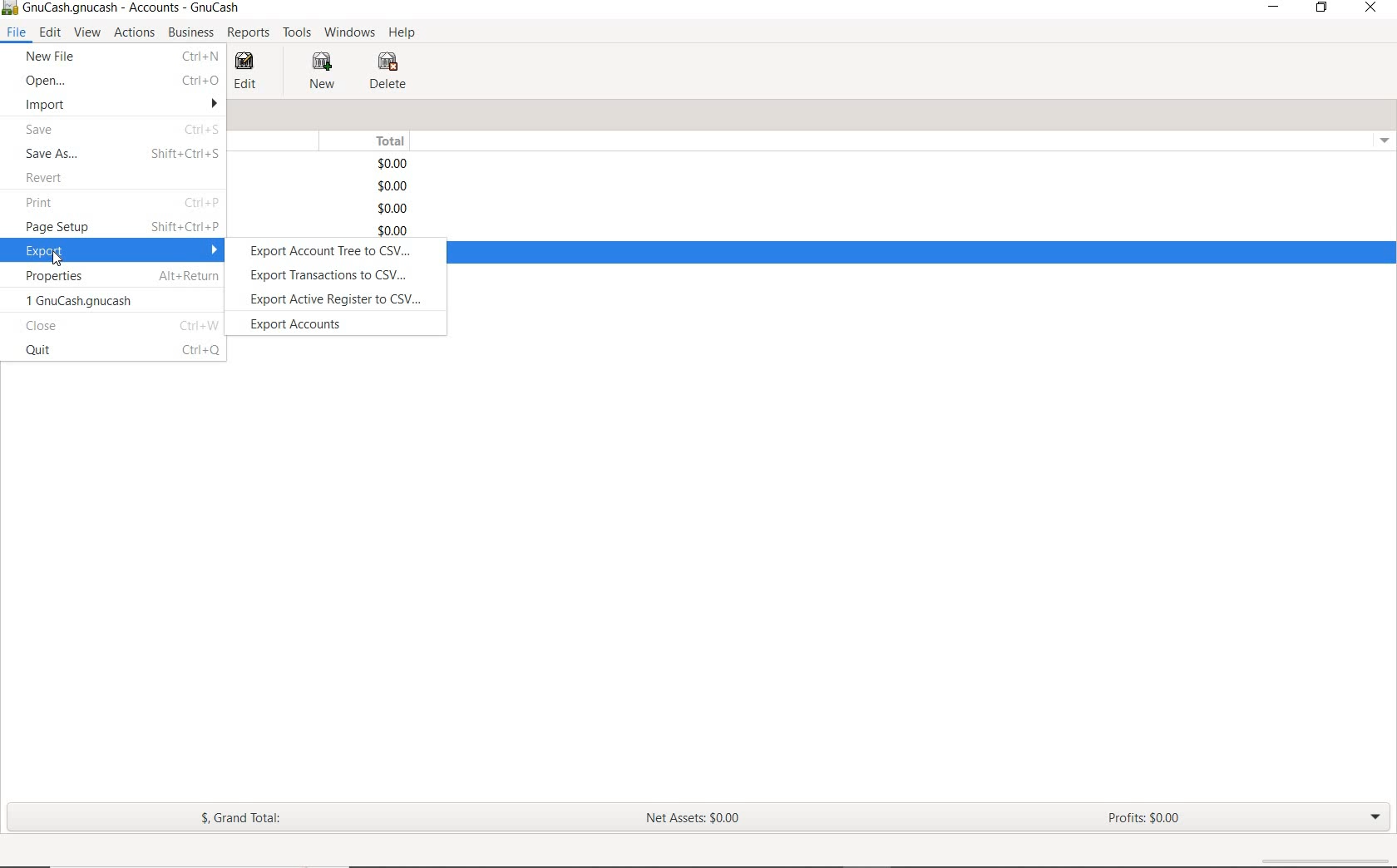  What do you see at coordinates (394, 186) in the screenshot?
I see `$0.00` at bounding box center [394, 186].